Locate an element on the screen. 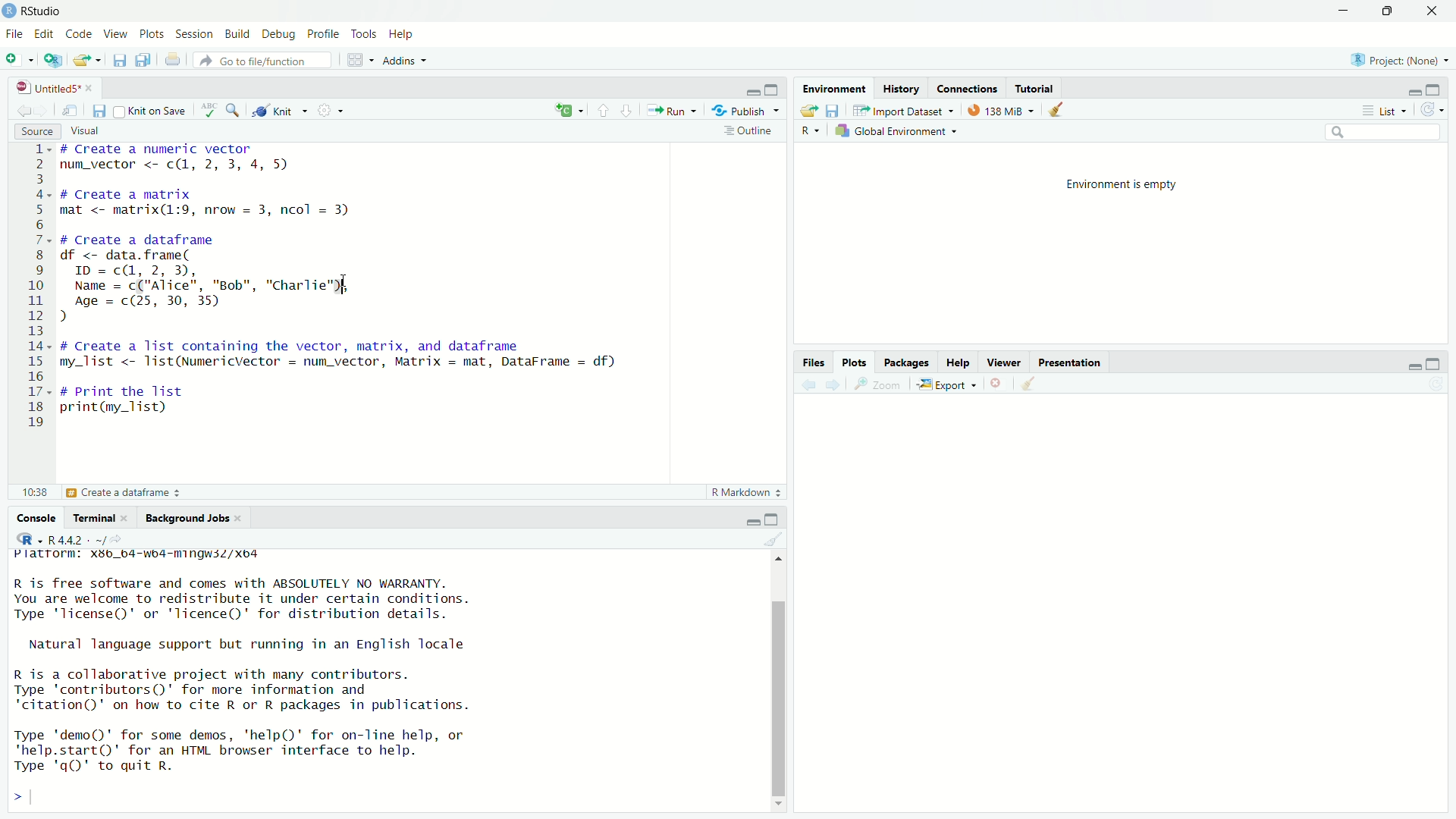 The width and height of the screenshot is (1456, 819). Plots is located at coordinates (152, 35).